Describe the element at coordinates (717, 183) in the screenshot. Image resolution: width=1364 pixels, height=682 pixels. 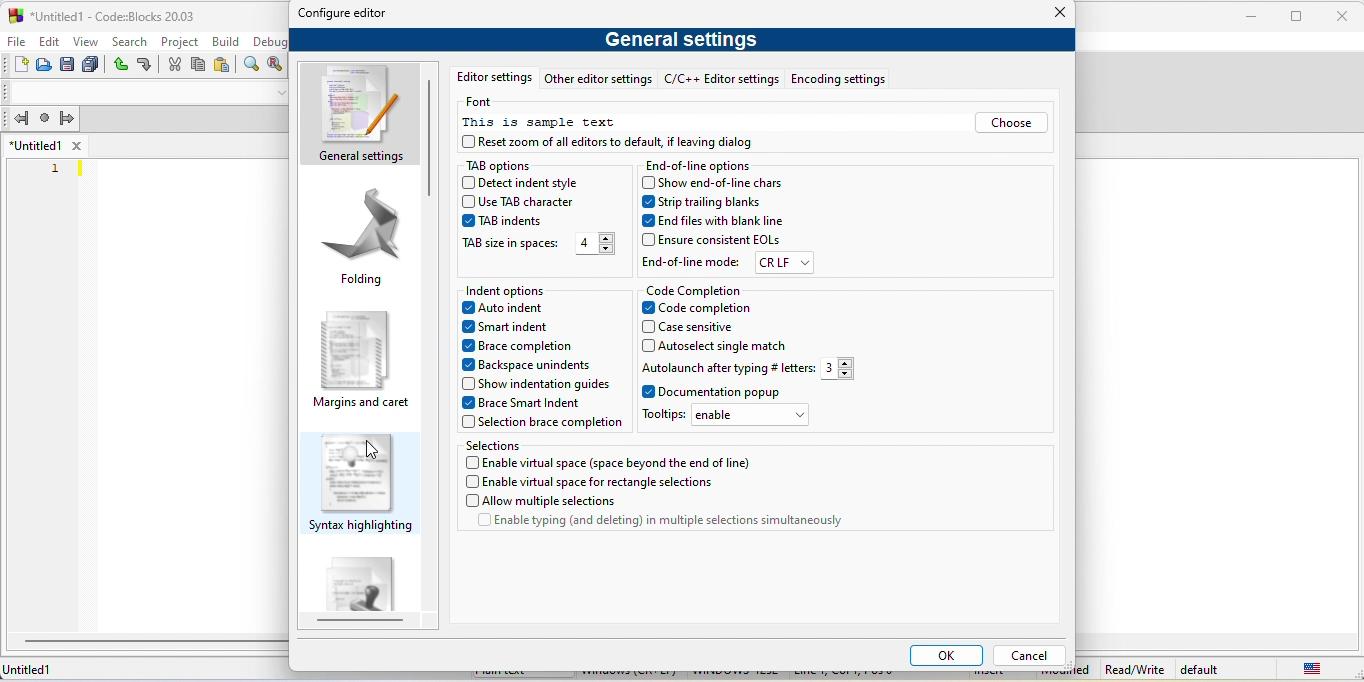
I see `show end of line chars` at that location.